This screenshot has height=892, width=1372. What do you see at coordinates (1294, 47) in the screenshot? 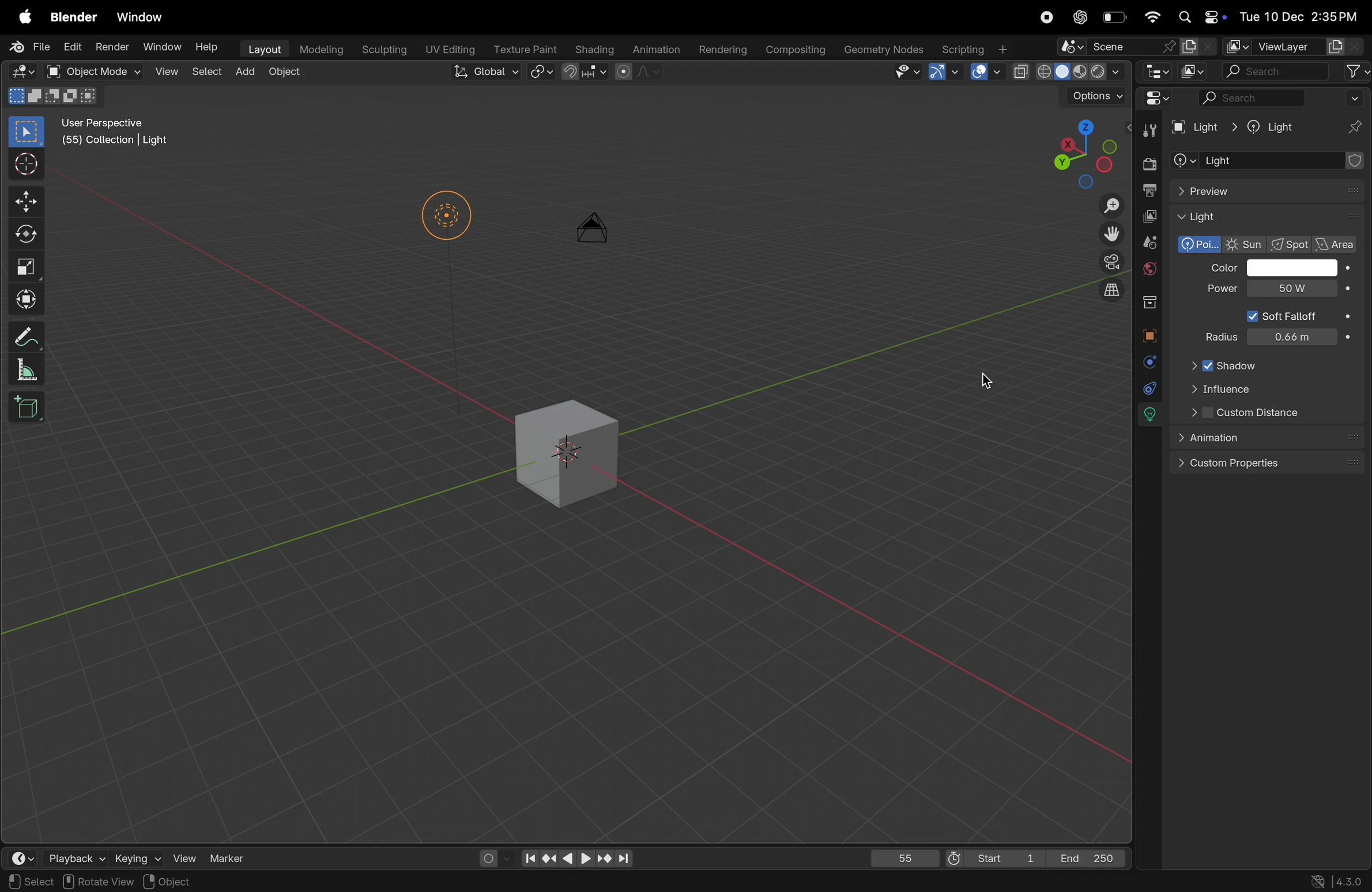
I see `view layer` at bounding box center [1294, 47].